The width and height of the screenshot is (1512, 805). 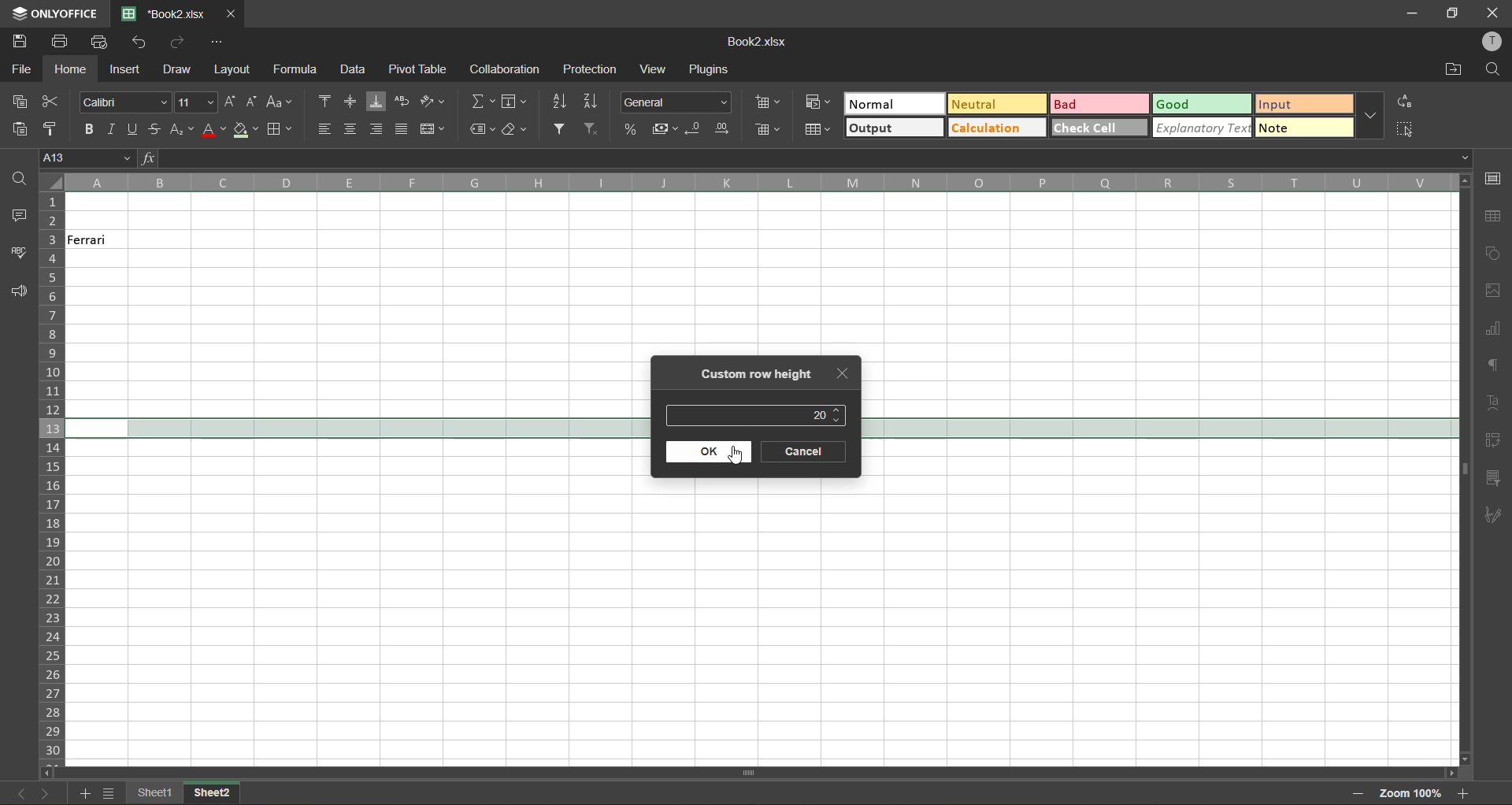 I want to click on filename, so click(x=761, y=42).